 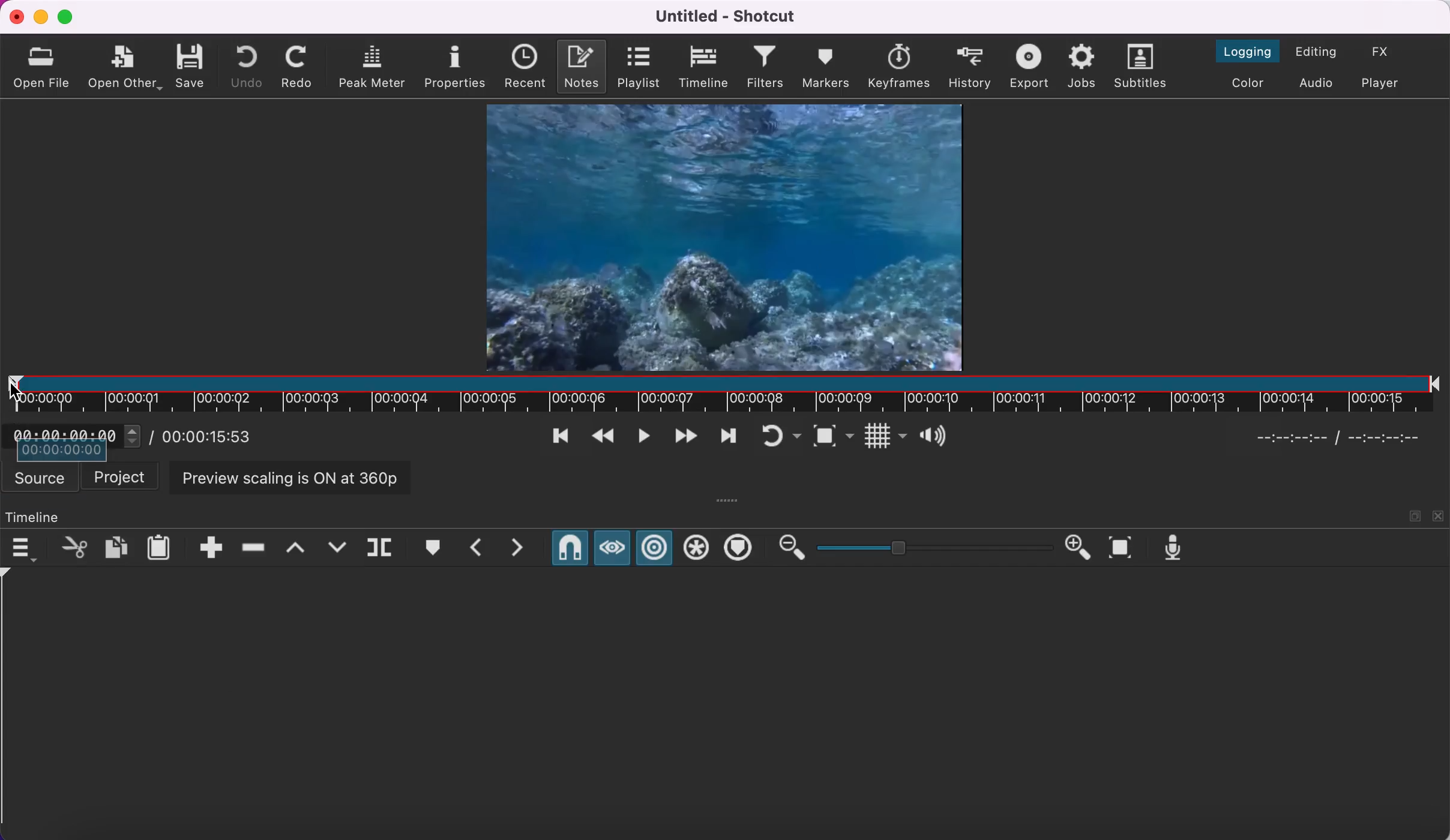 What do you see at coordinates (41, 17) in the screenshot?
I see `minimize` at bounding box center [41, 17].